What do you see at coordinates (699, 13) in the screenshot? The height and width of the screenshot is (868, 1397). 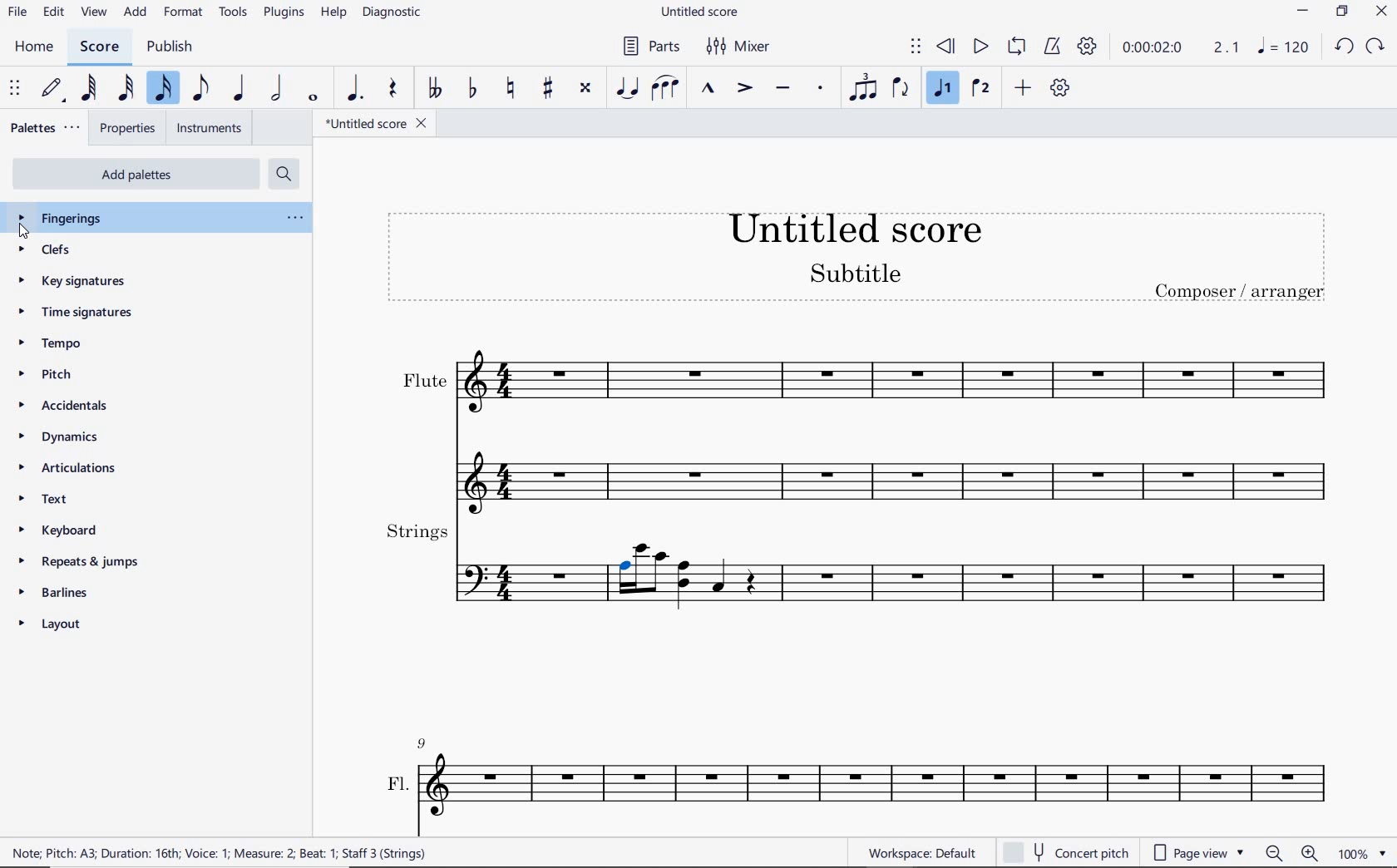 I see `file name` at bounding box center [699, 13].